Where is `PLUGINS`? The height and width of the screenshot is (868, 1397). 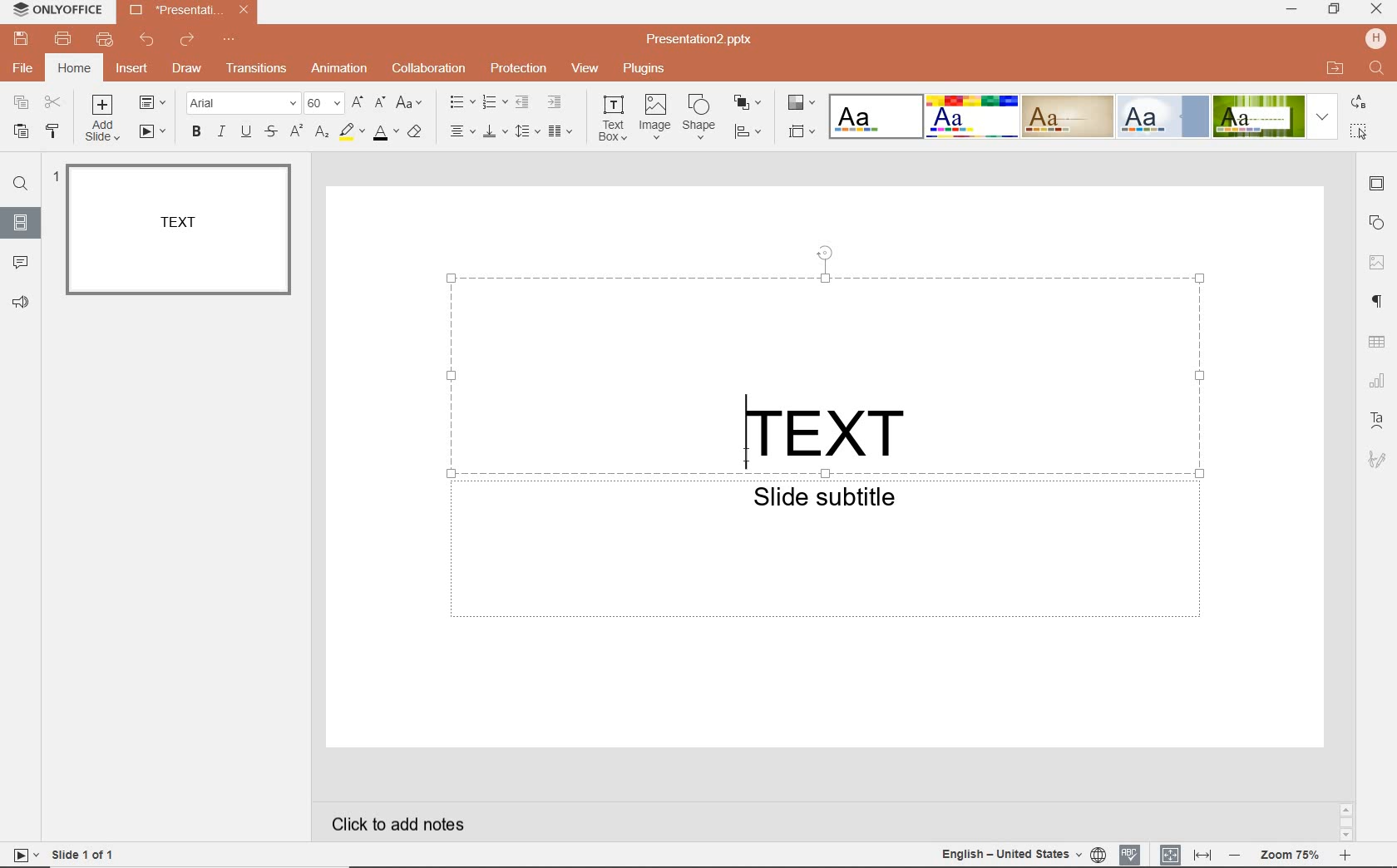 PLUGINS is located at coordinates (643, 67).